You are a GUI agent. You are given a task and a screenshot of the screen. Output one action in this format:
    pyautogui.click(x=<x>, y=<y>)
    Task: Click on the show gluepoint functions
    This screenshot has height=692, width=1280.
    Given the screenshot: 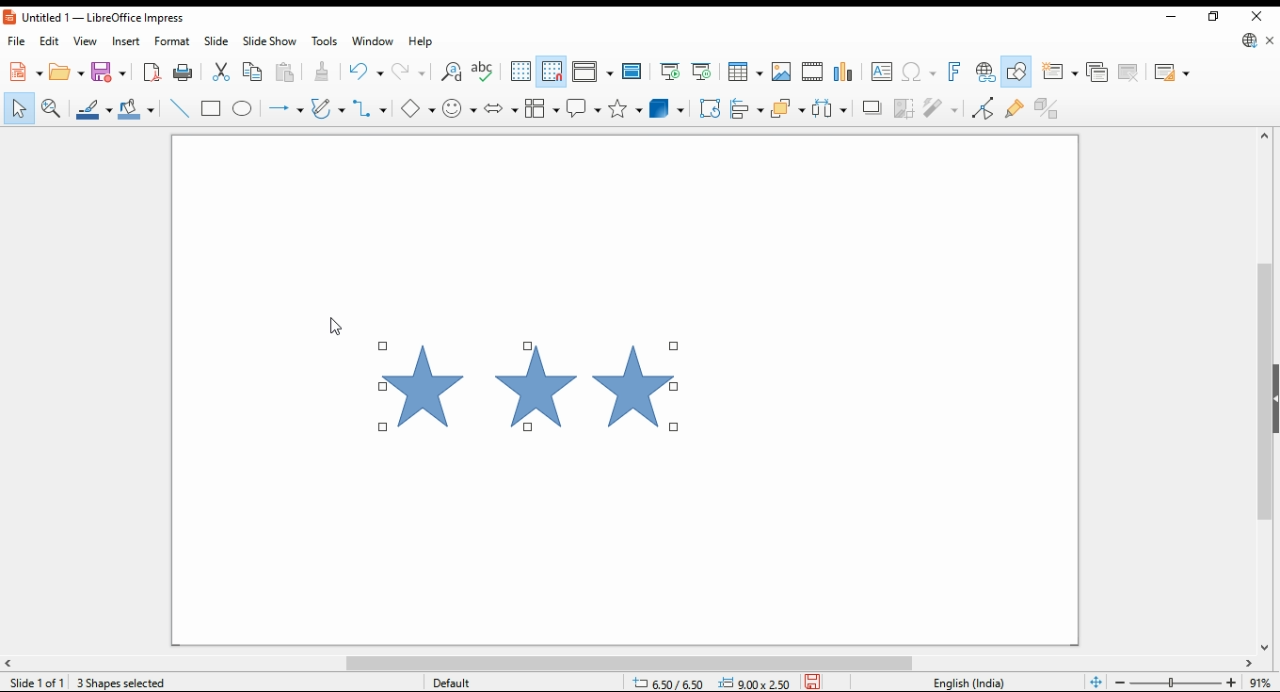 What is the action you would take?
    pyautogui.click(x=1016, y=107)
    